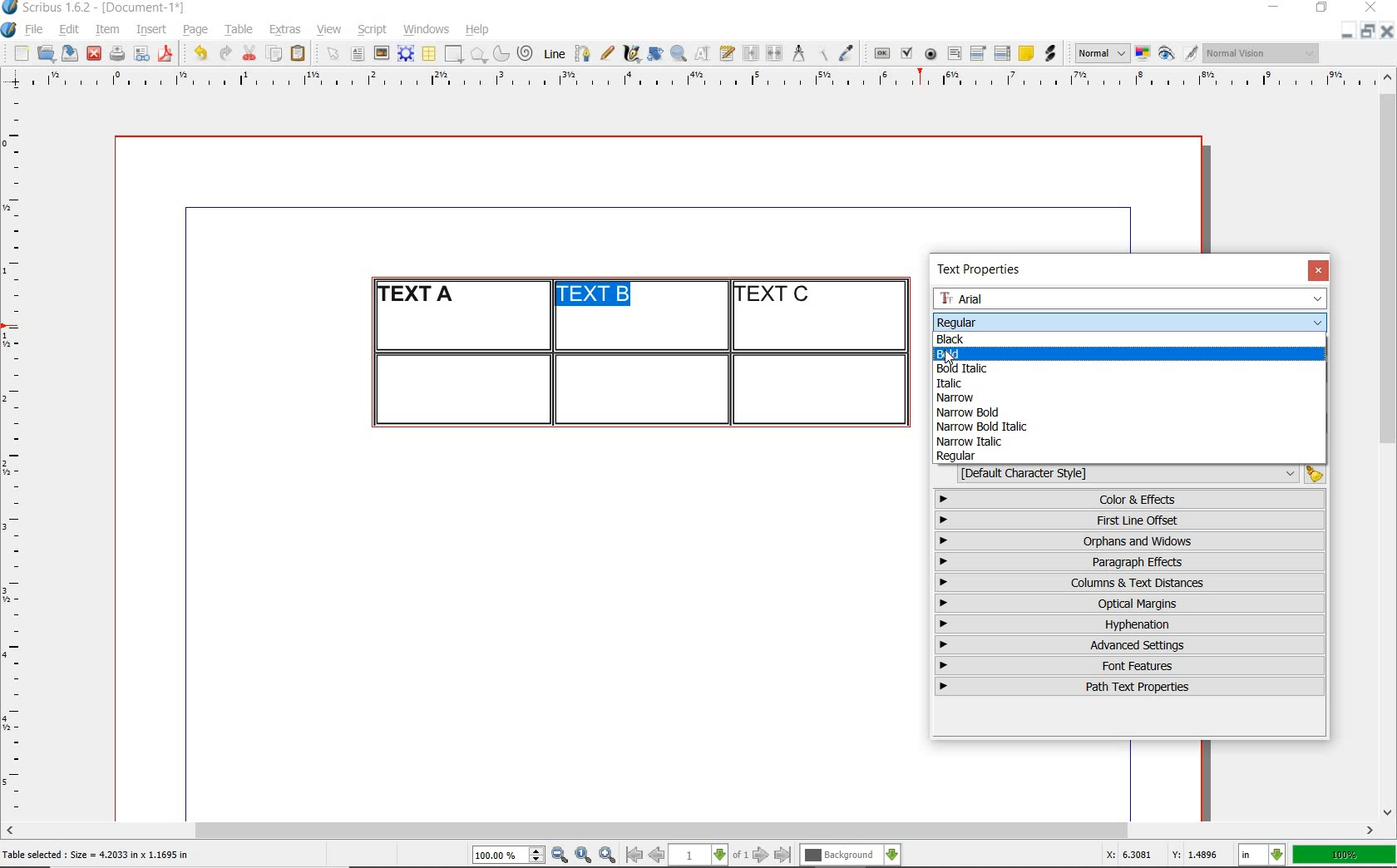  What do you see at coordinates (727, 52) in the screenshot?
I see `edit text with story editor` at bounding box center [727, 52].